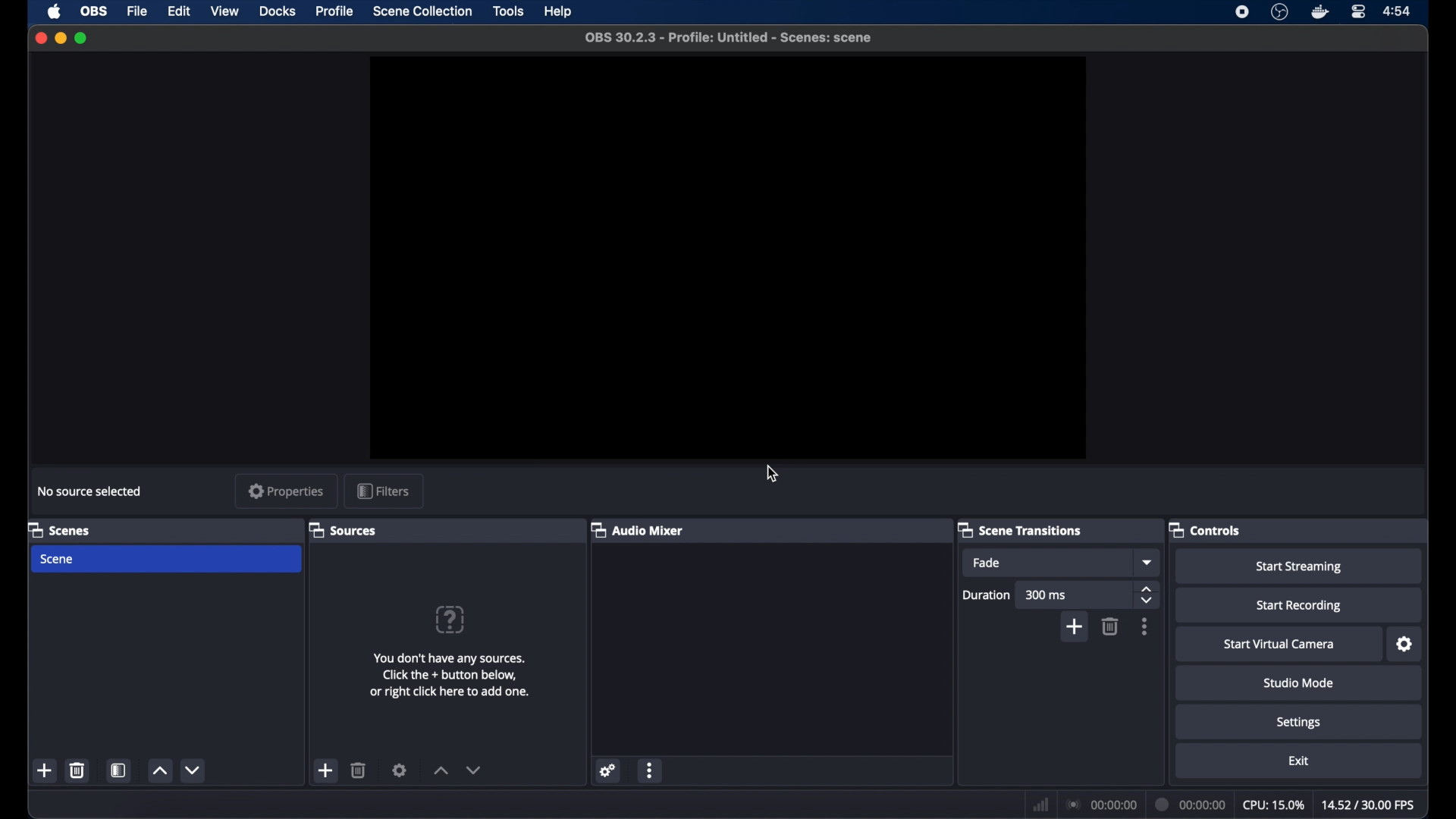  Describe the element at coordinates (450, 620) in the screenshot. I see `question mark icon` at that location.